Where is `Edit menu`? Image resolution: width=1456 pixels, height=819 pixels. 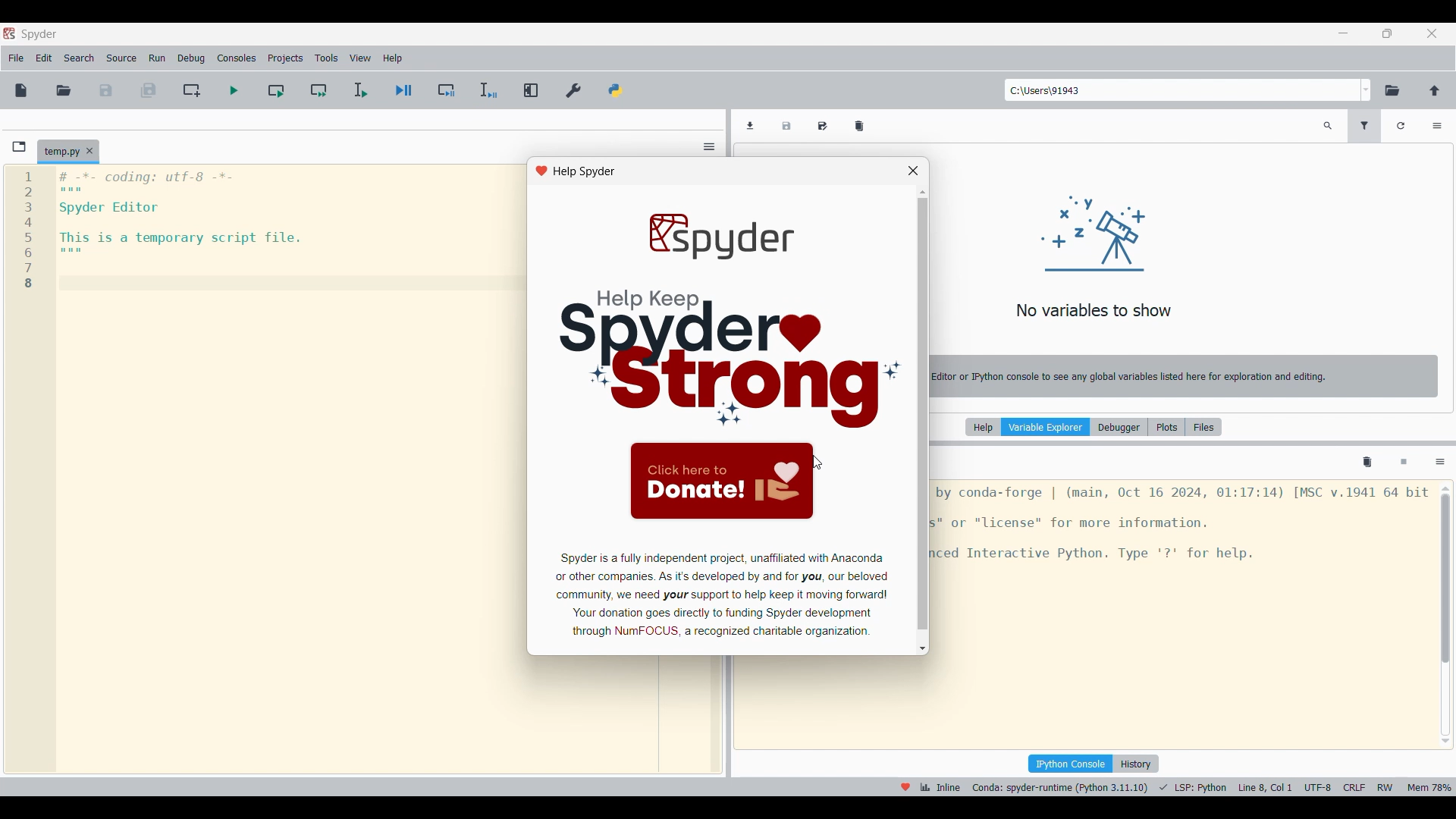
Edit menu is located at coordinates (45, 58).